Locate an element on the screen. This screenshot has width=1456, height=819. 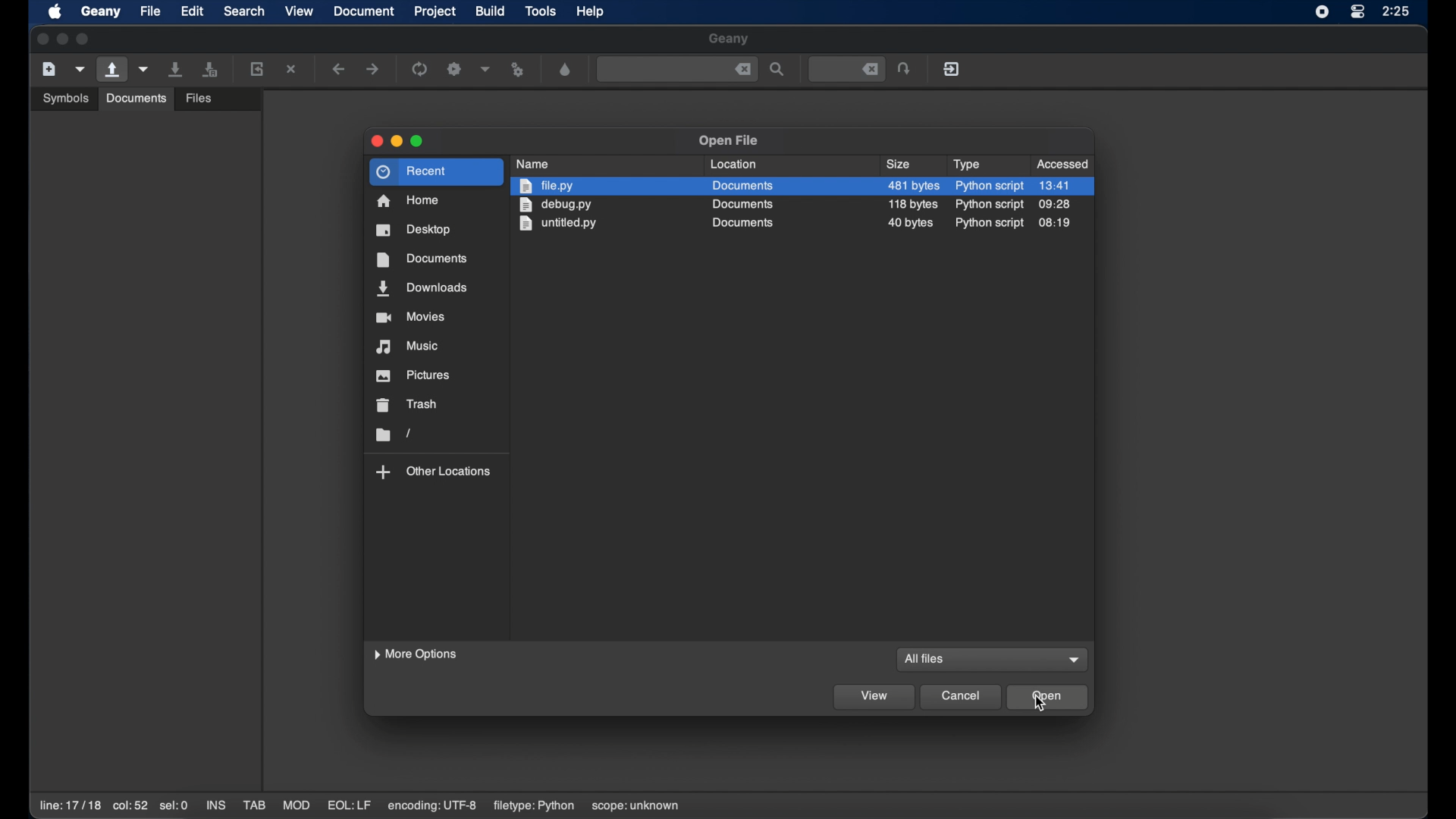
recent highlighted is located at coordinates (436, 172).